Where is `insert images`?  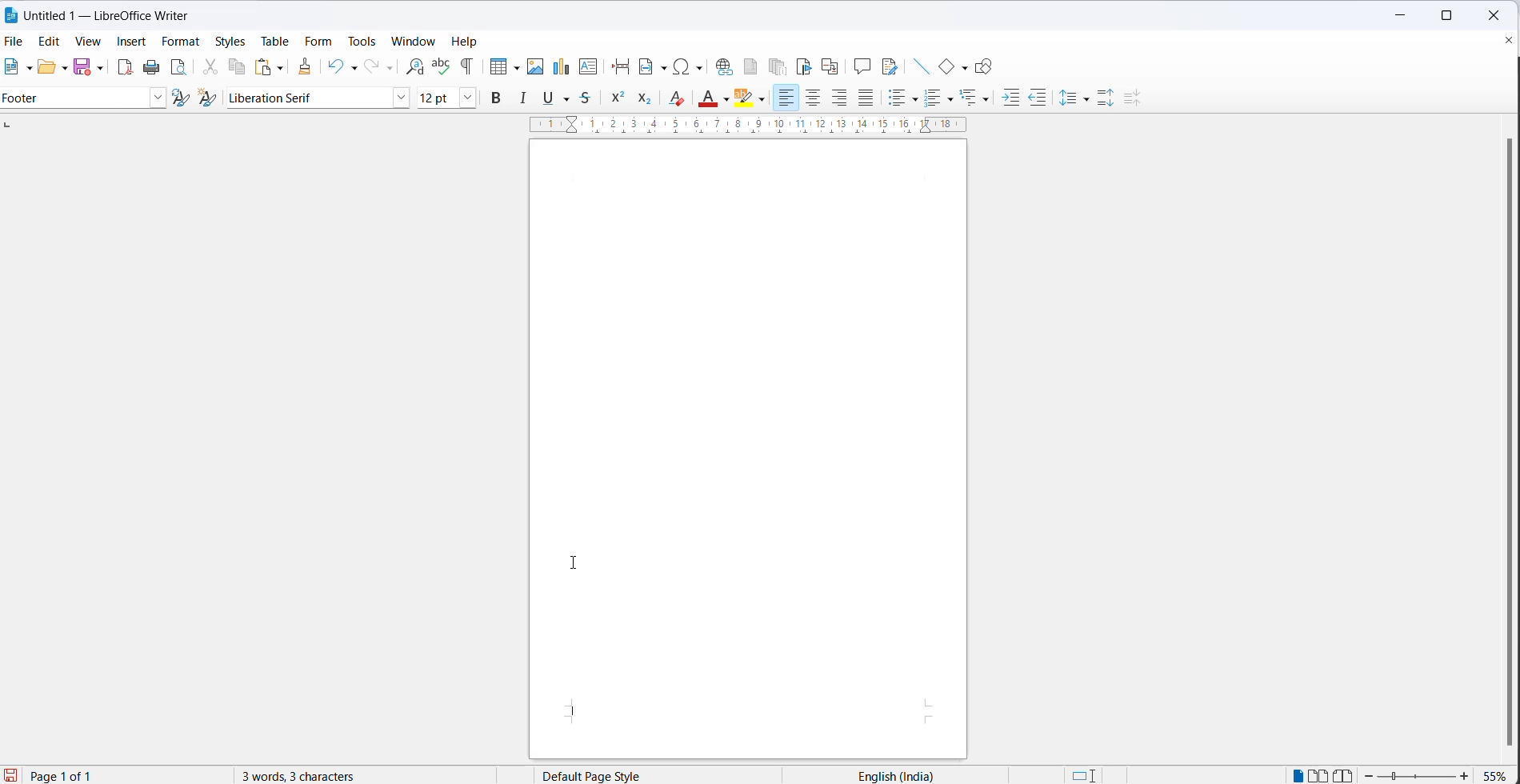 insert images is located at coordinates (535, 68).